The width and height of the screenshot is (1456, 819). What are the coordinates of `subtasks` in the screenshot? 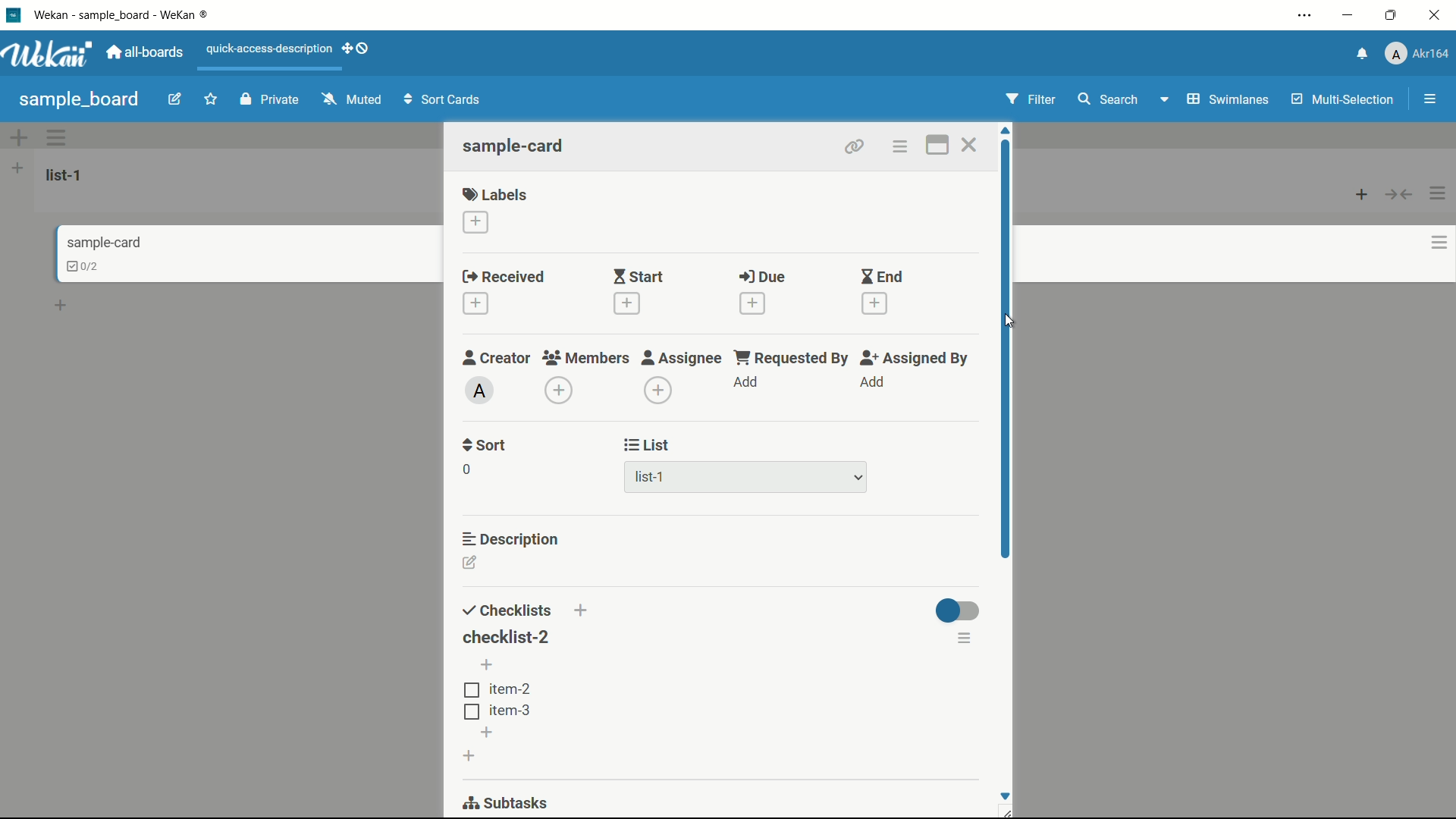 It's located at (506, 803).